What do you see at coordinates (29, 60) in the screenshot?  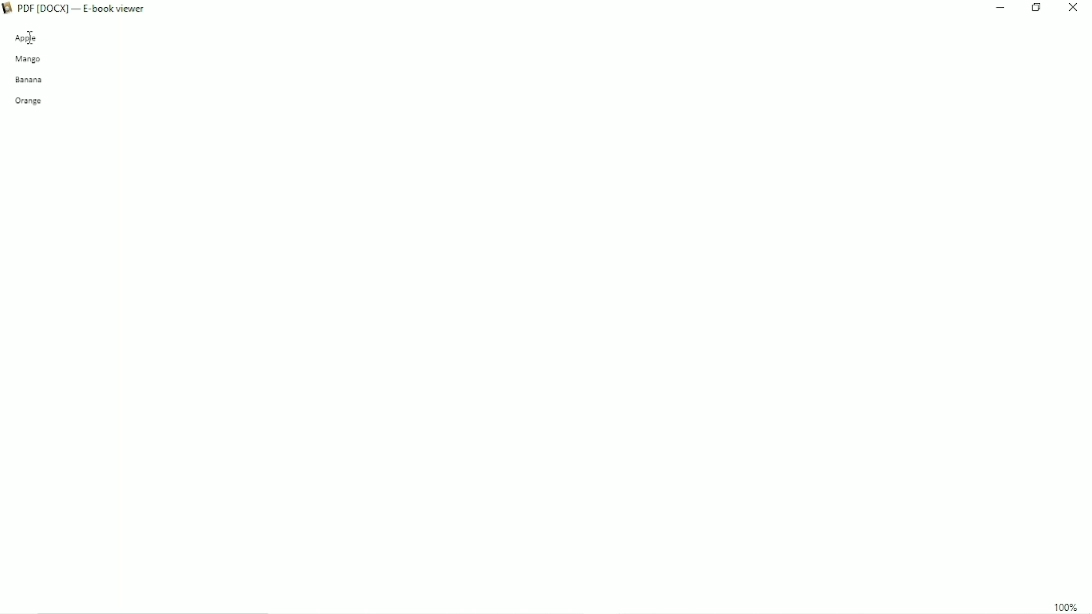 I see `mango` at bounding box center [29, 60].